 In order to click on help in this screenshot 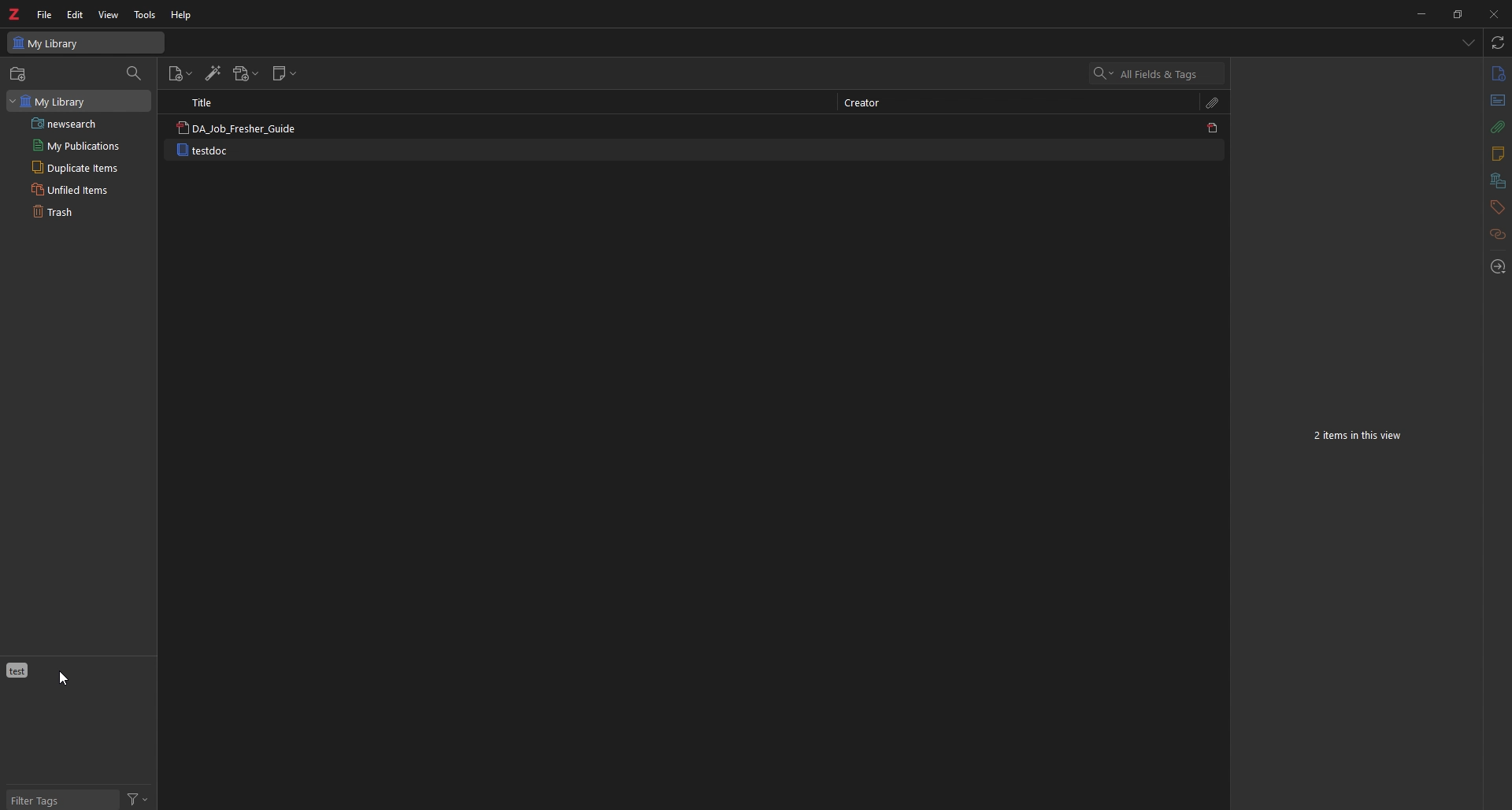, I will do `click(183, 15)`.